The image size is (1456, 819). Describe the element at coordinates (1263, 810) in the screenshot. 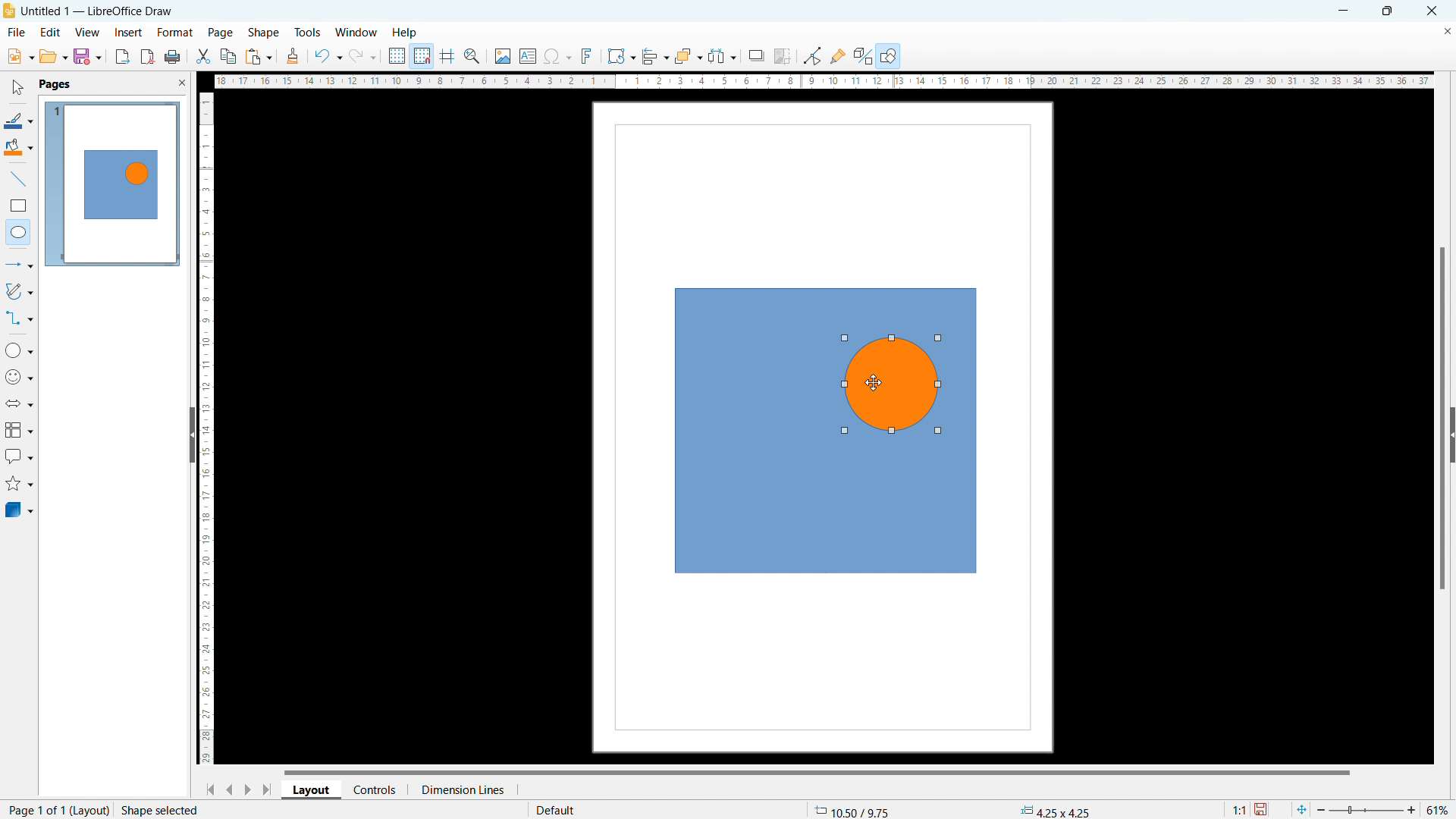

I see `save` at that location.